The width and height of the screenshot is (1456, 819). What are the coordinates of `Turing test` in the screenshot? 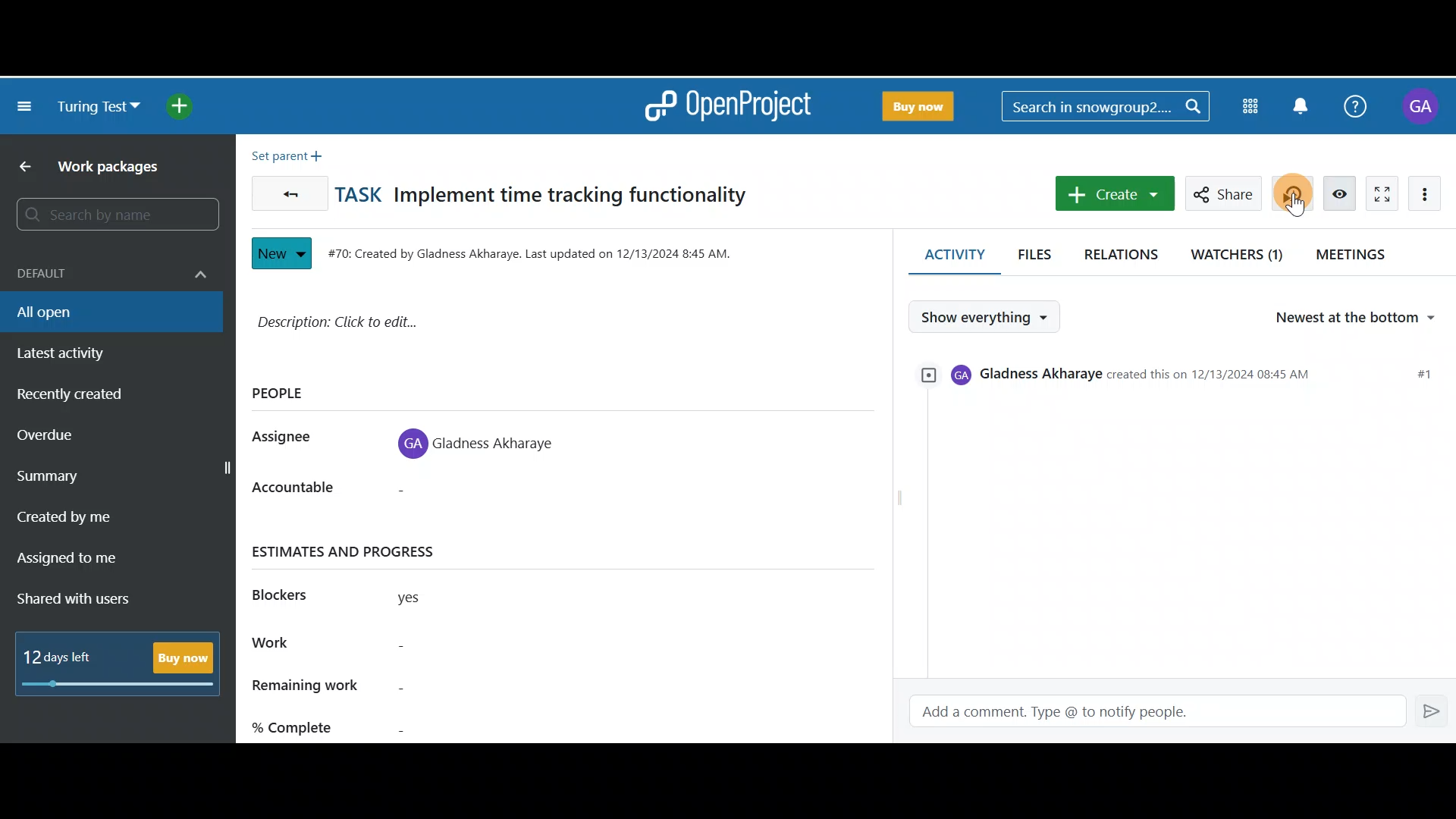 It's located at (99, 107).